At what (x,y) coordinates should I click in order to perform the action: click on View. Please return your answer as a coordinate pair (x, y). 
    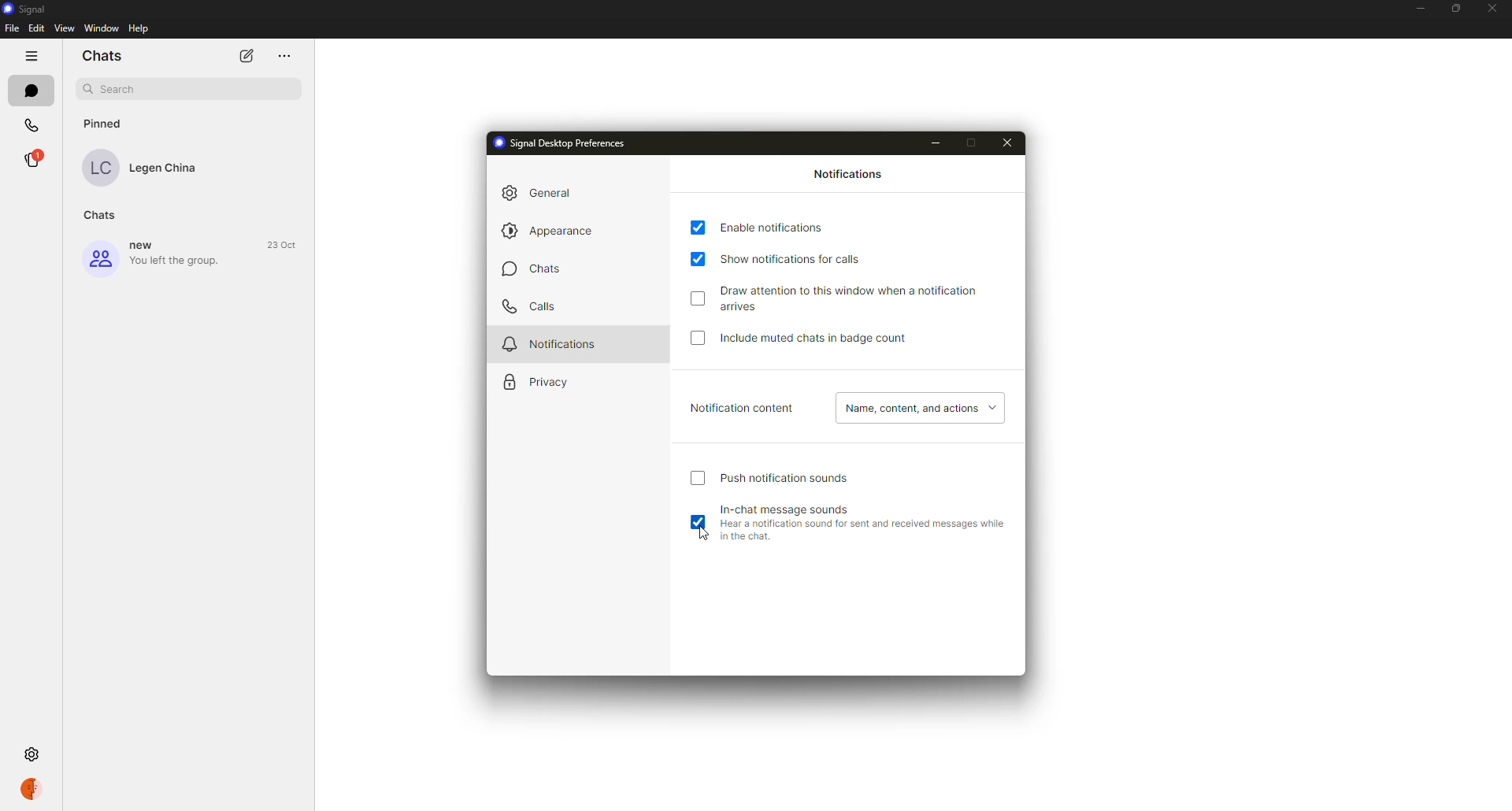
    Looking at the image, I should click on (64, 27).